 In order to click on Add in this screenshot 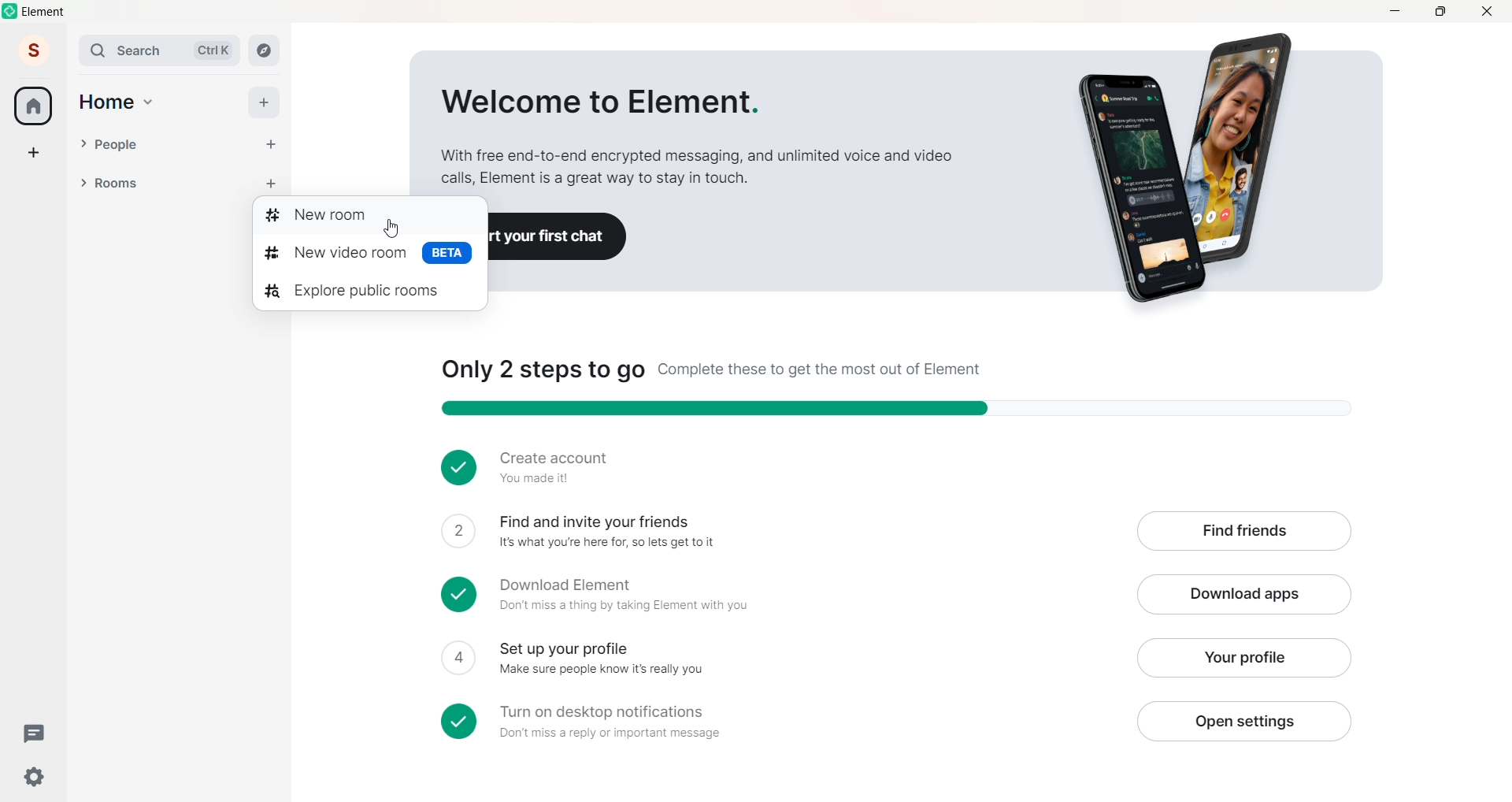, I will do `click(263, 102)`.